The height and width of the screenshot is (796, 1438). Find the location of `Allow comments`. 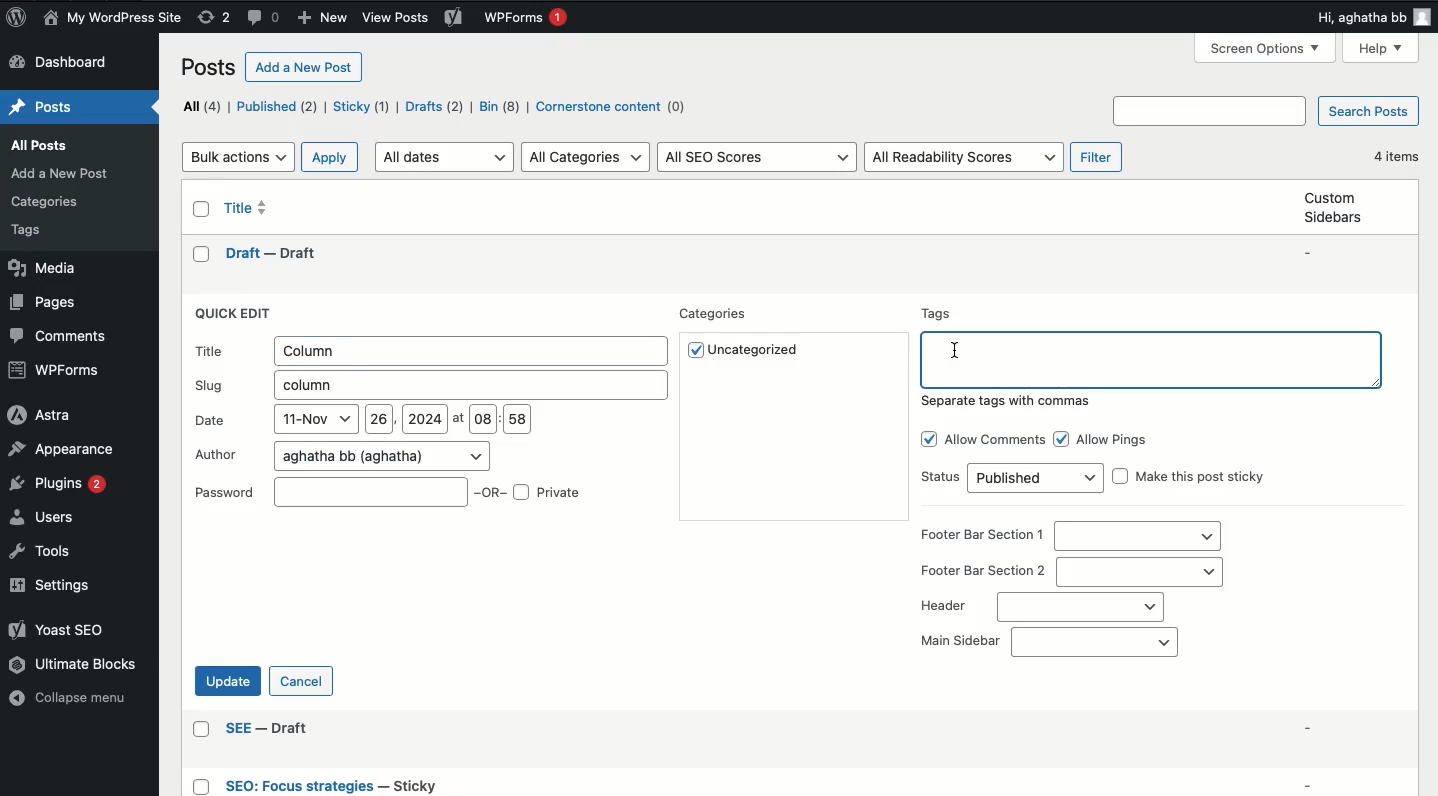

Allow comments is located at coordinates (985, 441).